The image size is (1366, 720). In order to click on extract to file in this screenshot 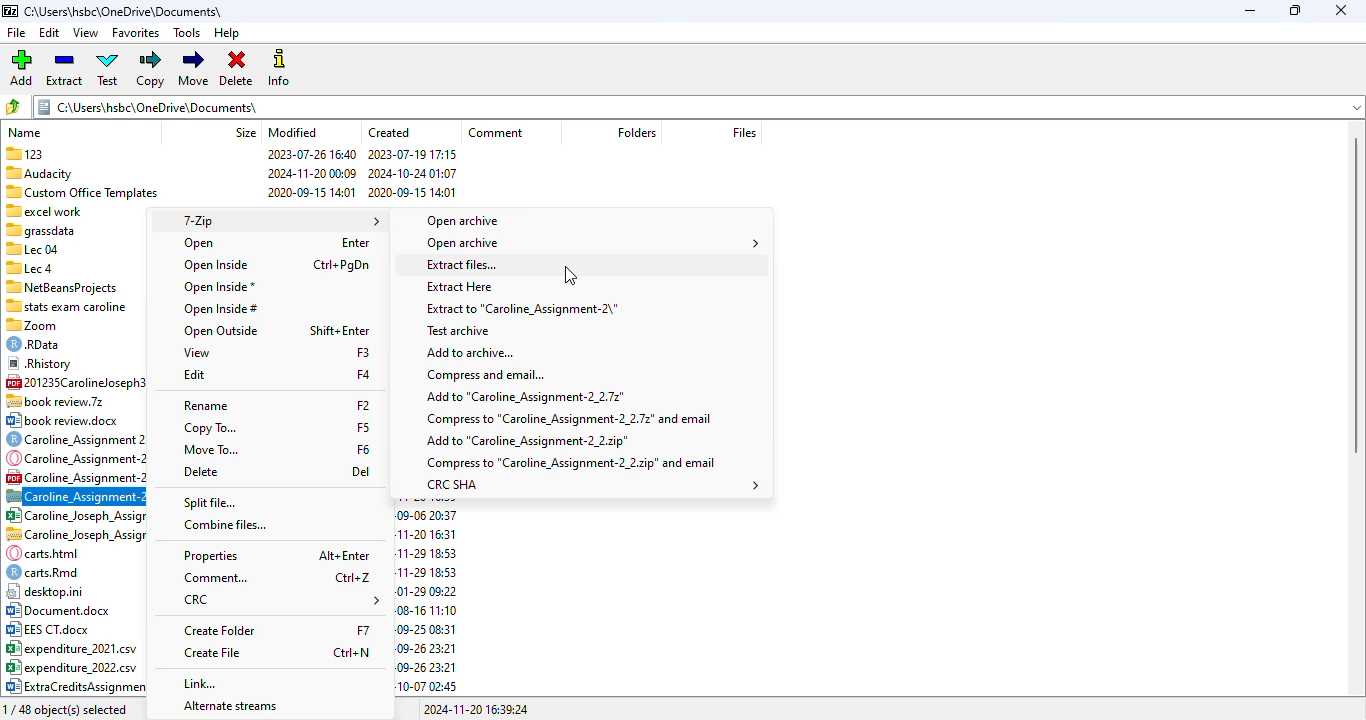, I will do `click(522, 309)`.